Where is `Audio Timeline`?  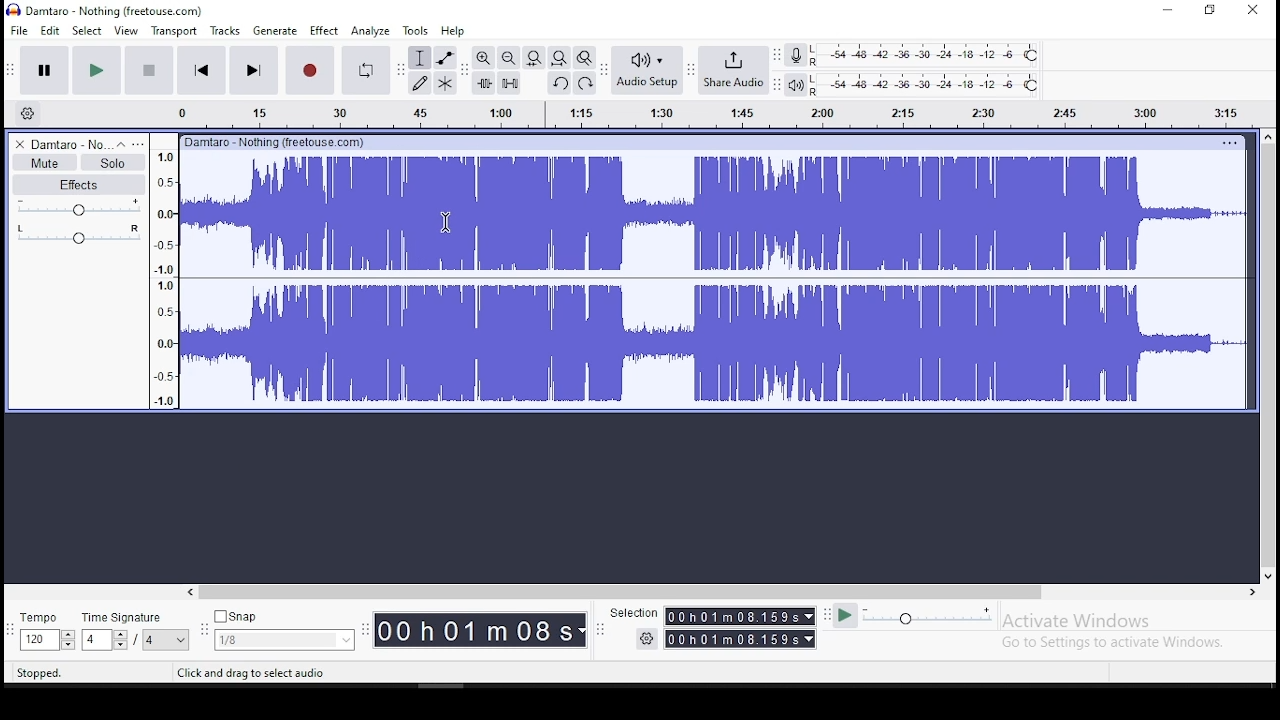 Audio Timeline is located at coordinates (697, 114).